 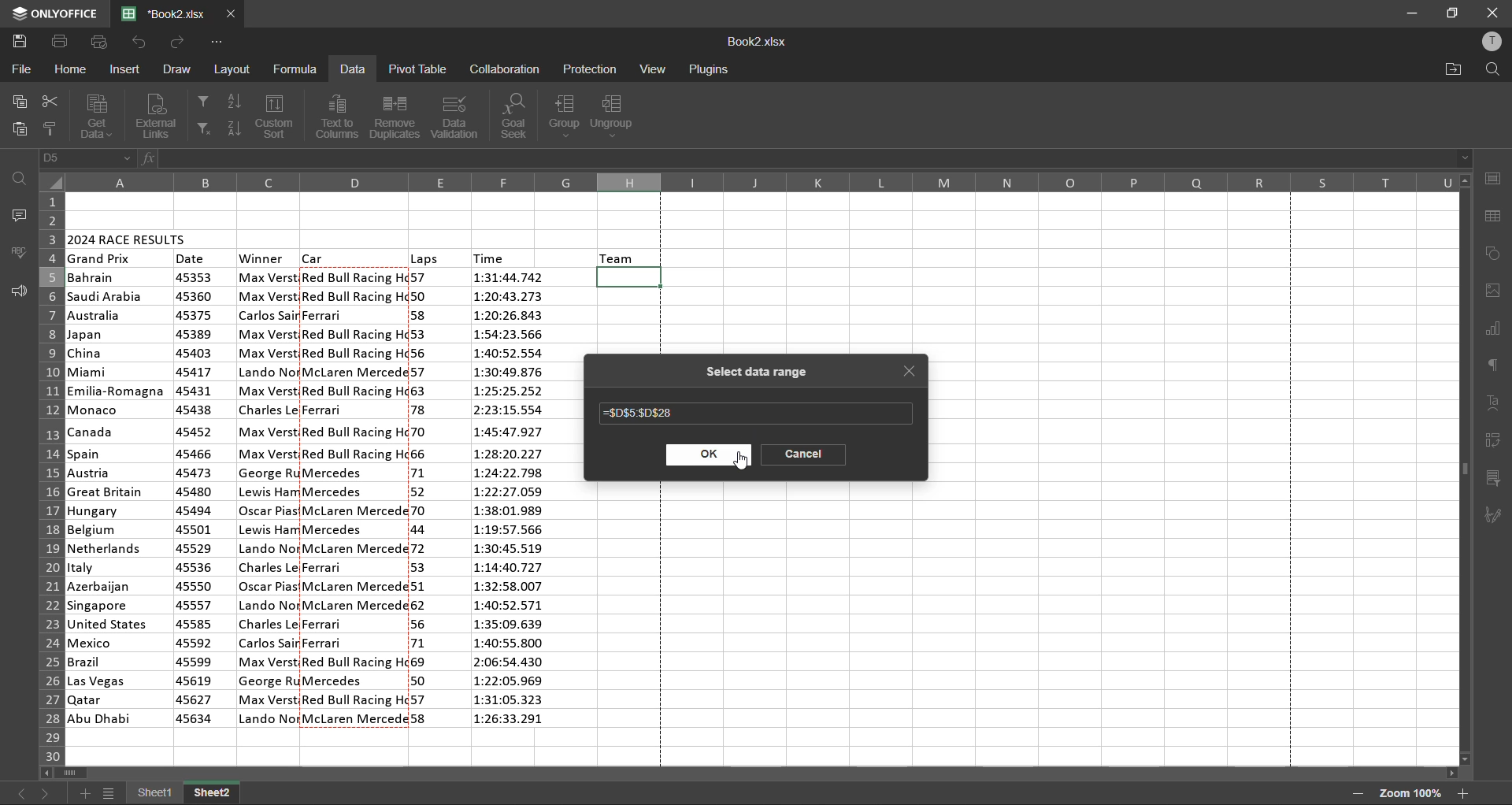 What do you see at coordinates (138, 42) in the screenshot?
I see `undo` at bounding box center [138, 42].